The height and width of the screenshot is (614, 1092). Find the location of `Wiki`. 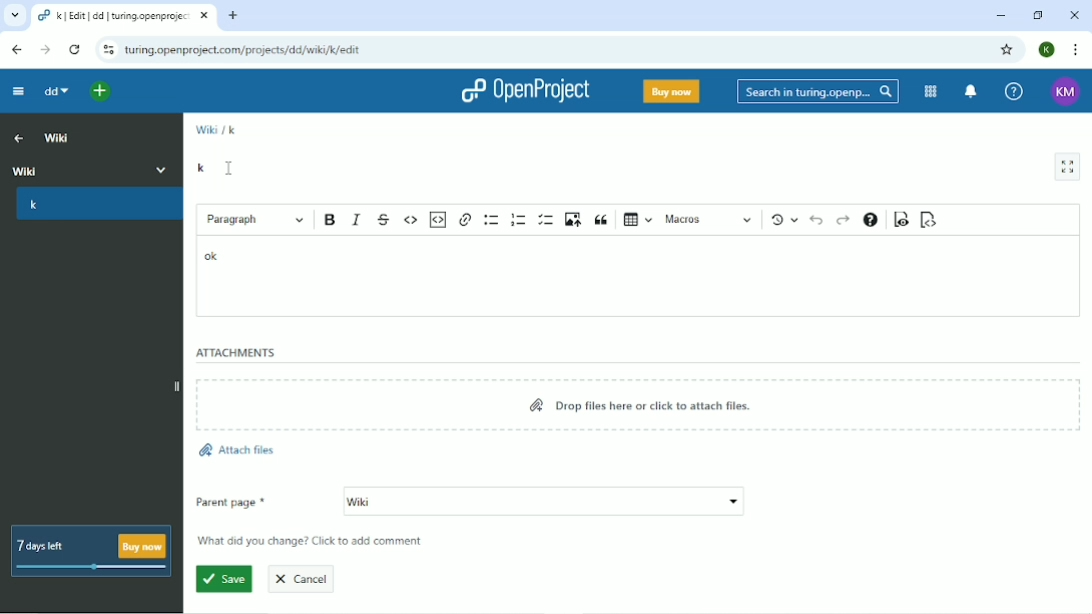

Wiki is located at coordinates (59, 139).